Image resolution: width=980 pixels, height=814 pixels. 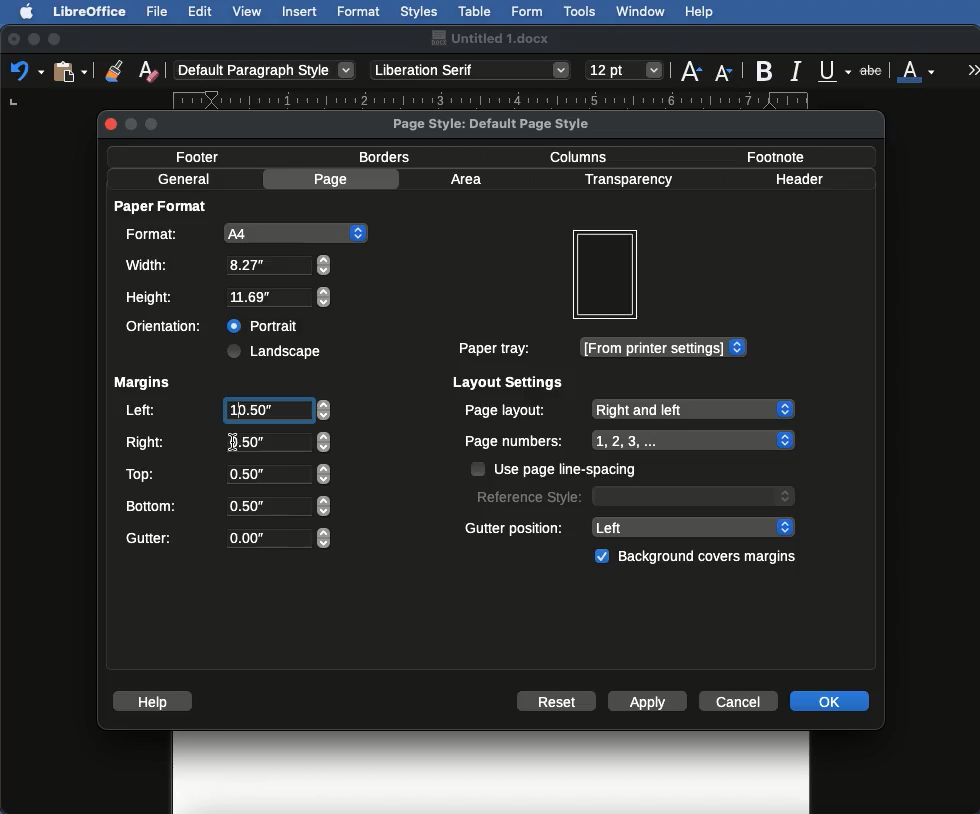 I want to click on Area, so click(x=469, y=179).